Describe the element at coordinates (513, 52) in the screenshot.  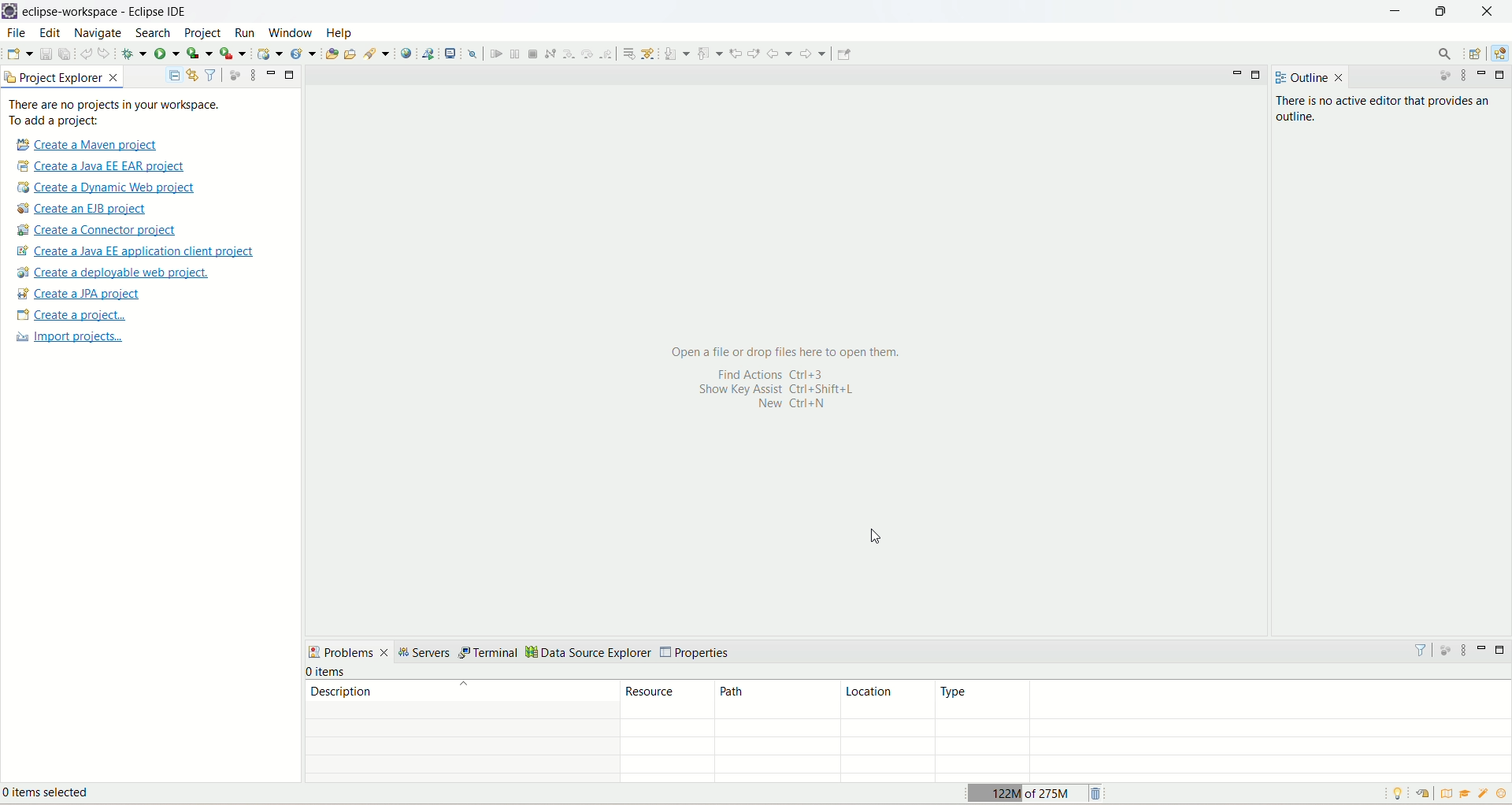
I see `suspend` at that location.